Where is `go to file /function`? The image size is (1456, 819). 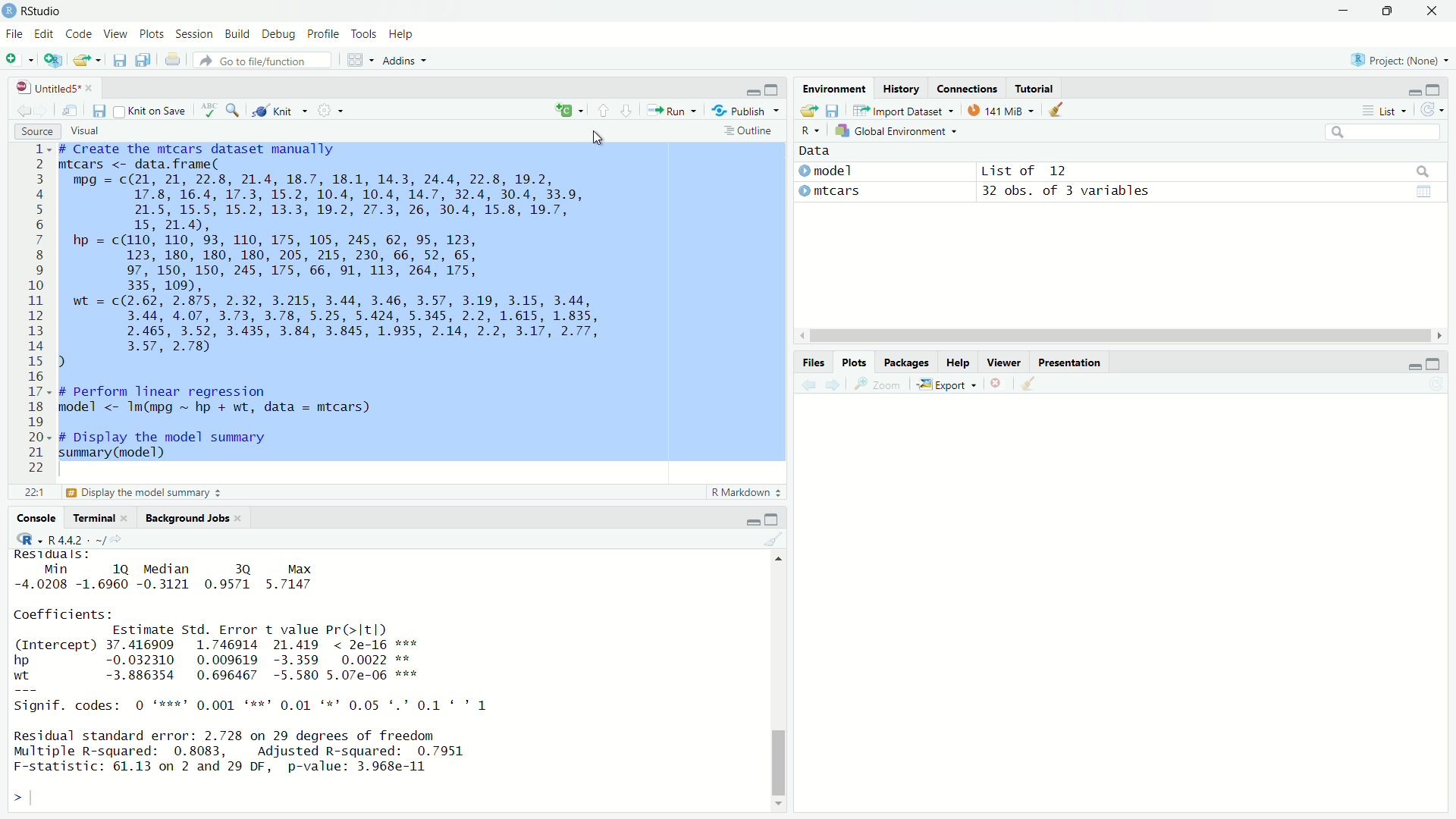 go to file /function is located at coordinates (262, 61).